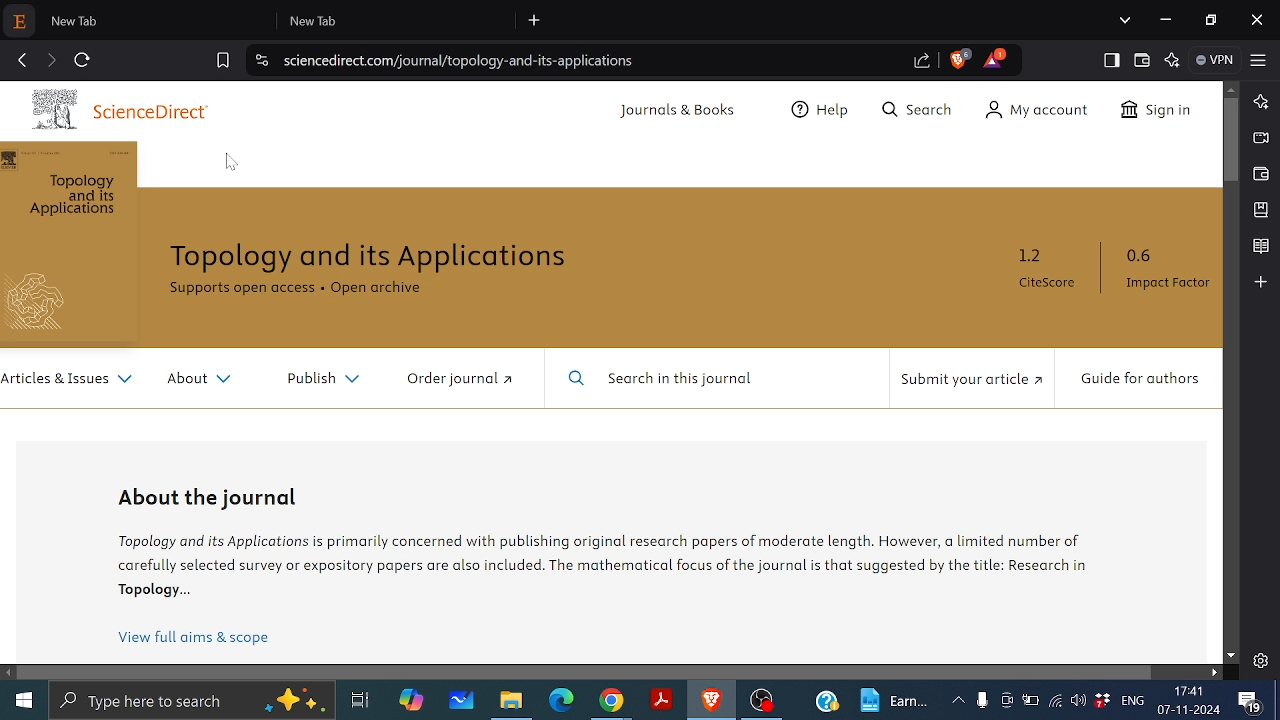 This screenshot has width=1280, height=720. Describe the element at coordinates (822, 112) in the screenshot. I see `@ Help` at that location.